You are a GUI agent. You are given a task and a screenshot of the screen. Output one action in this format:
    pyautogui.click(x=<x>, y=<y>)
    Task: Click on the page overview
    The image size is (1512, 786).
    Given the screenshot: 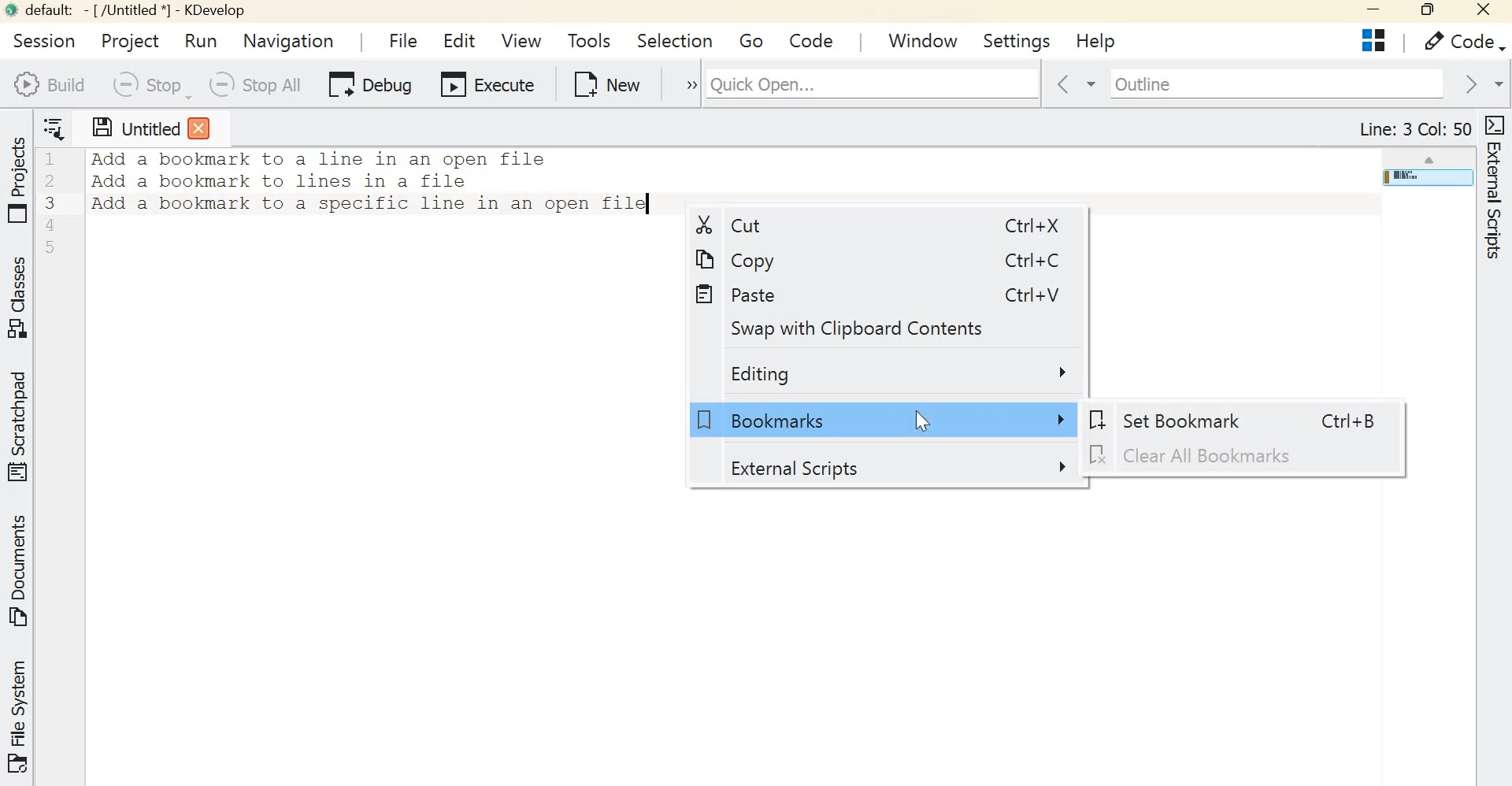 What is the action you would take?
    pyautogui.click(x=1426, y=177)
    